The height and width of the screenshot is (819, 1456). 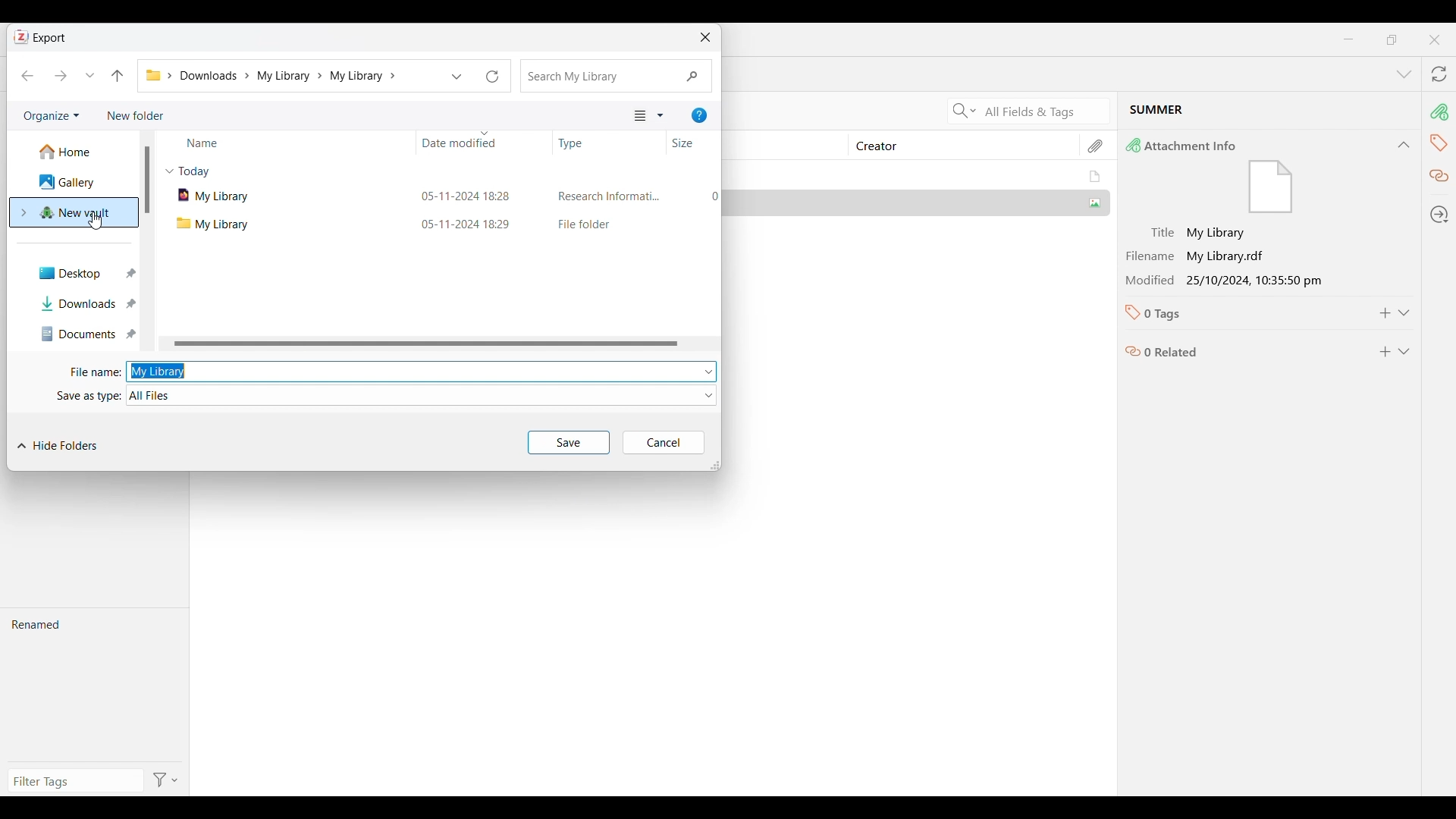 What do you see at coordinates (426, 344) in the screenshot?
I see `Horizontal slide bar` at bounding box center [426, 344].